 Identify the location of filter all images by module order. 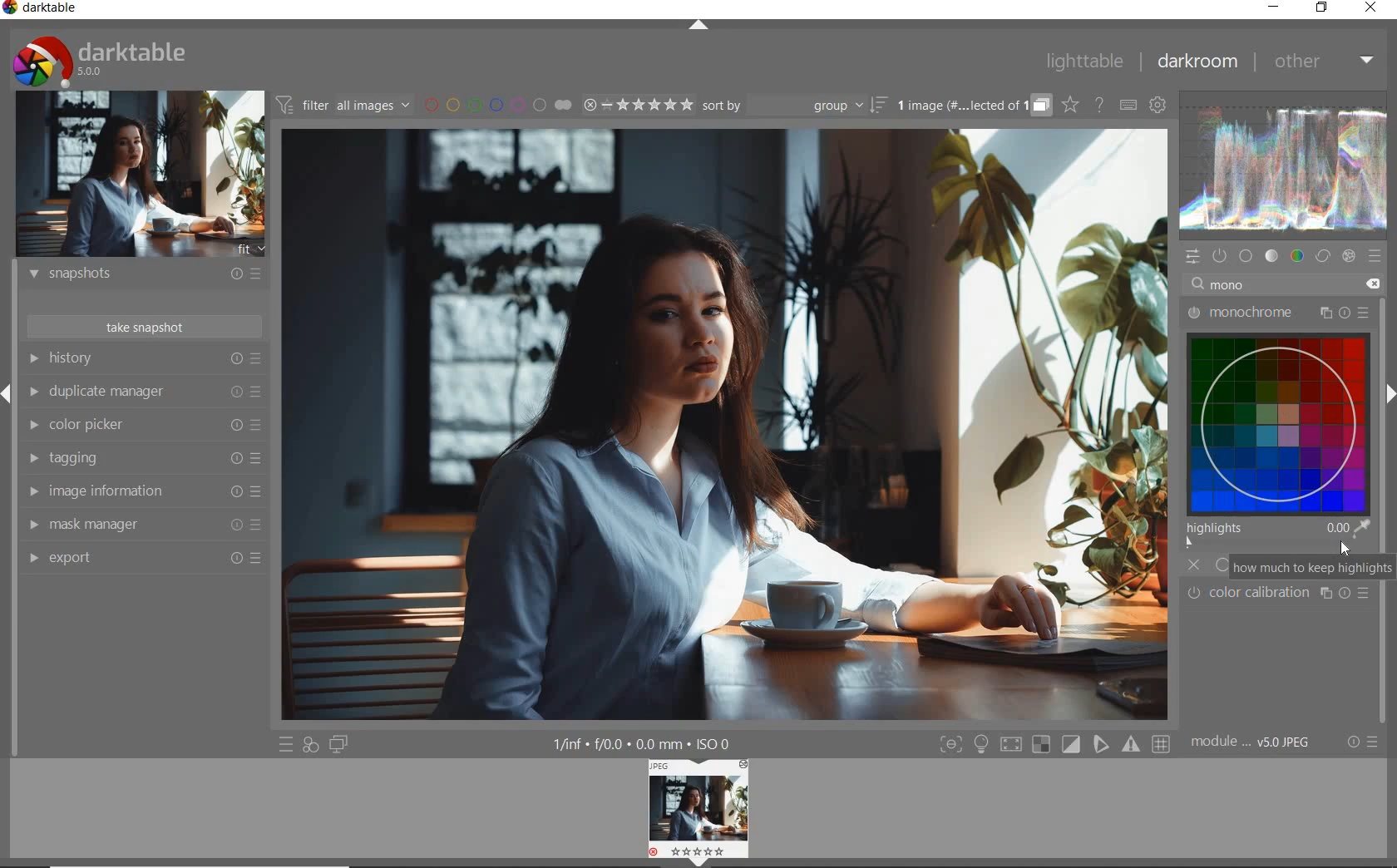
(342, 106).